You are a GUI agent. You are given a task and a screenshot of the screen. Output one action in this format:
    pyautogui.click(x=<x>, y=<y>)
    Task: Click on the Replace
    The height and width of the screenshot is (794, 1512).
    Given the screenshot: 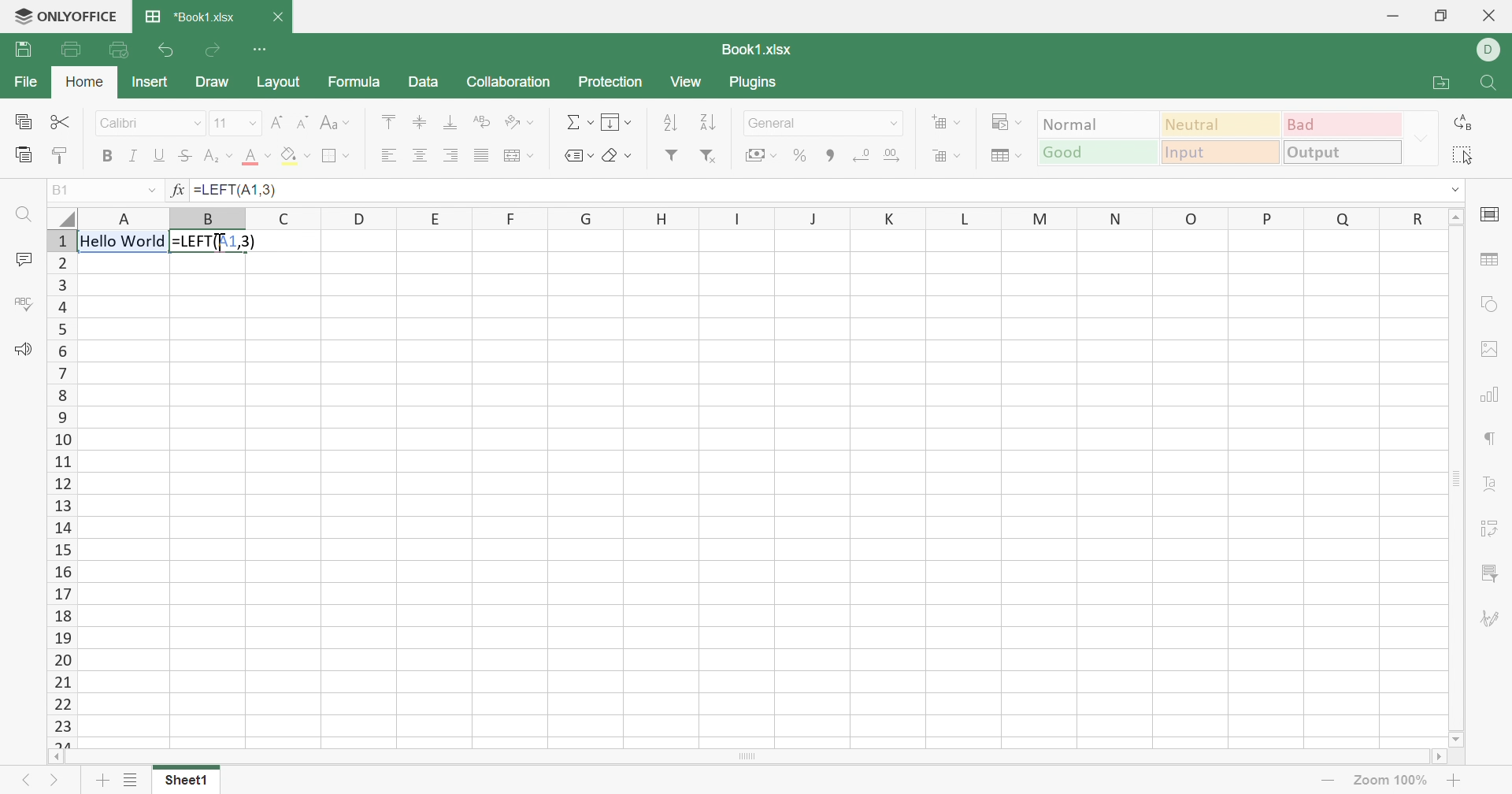 What is the action you would take?
    pyautogui.click(x=1462, y=122)
    